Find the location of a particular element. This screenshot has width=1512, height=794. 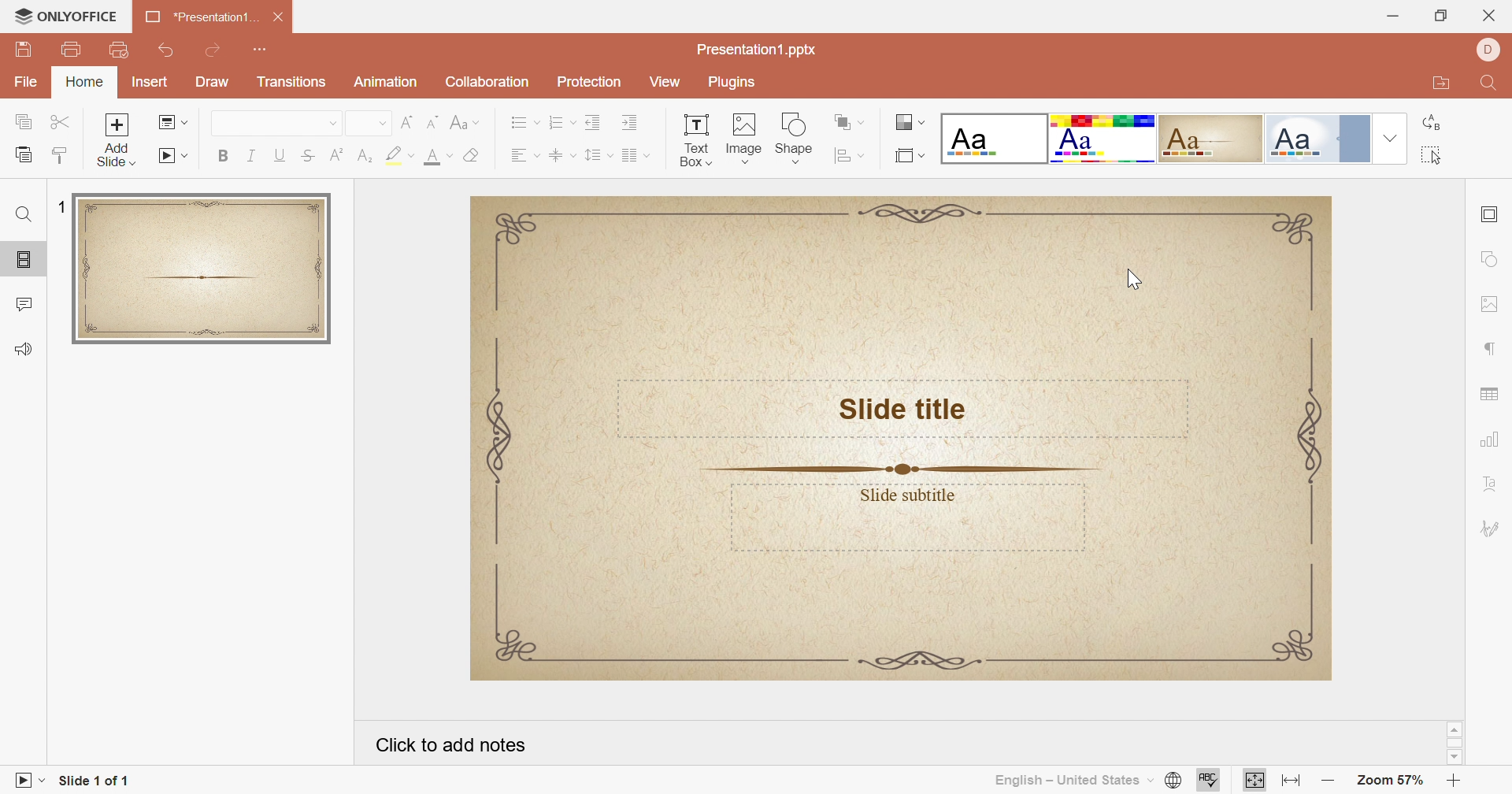

Image is located at coordinates (747, 137).